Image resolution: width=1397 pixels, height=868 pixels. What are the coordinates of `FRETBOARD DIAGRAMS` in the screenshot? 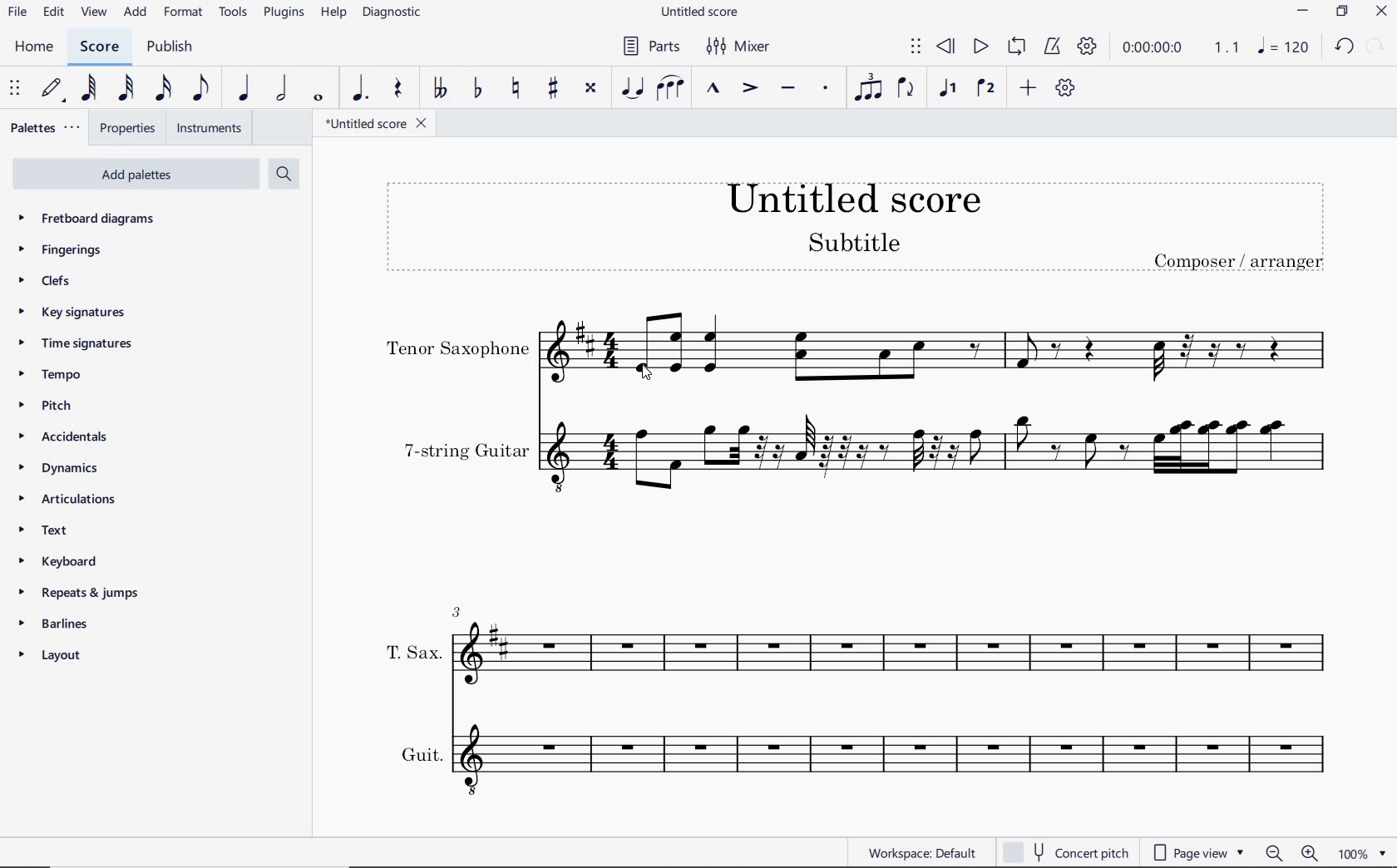 It's located at (88, 218).